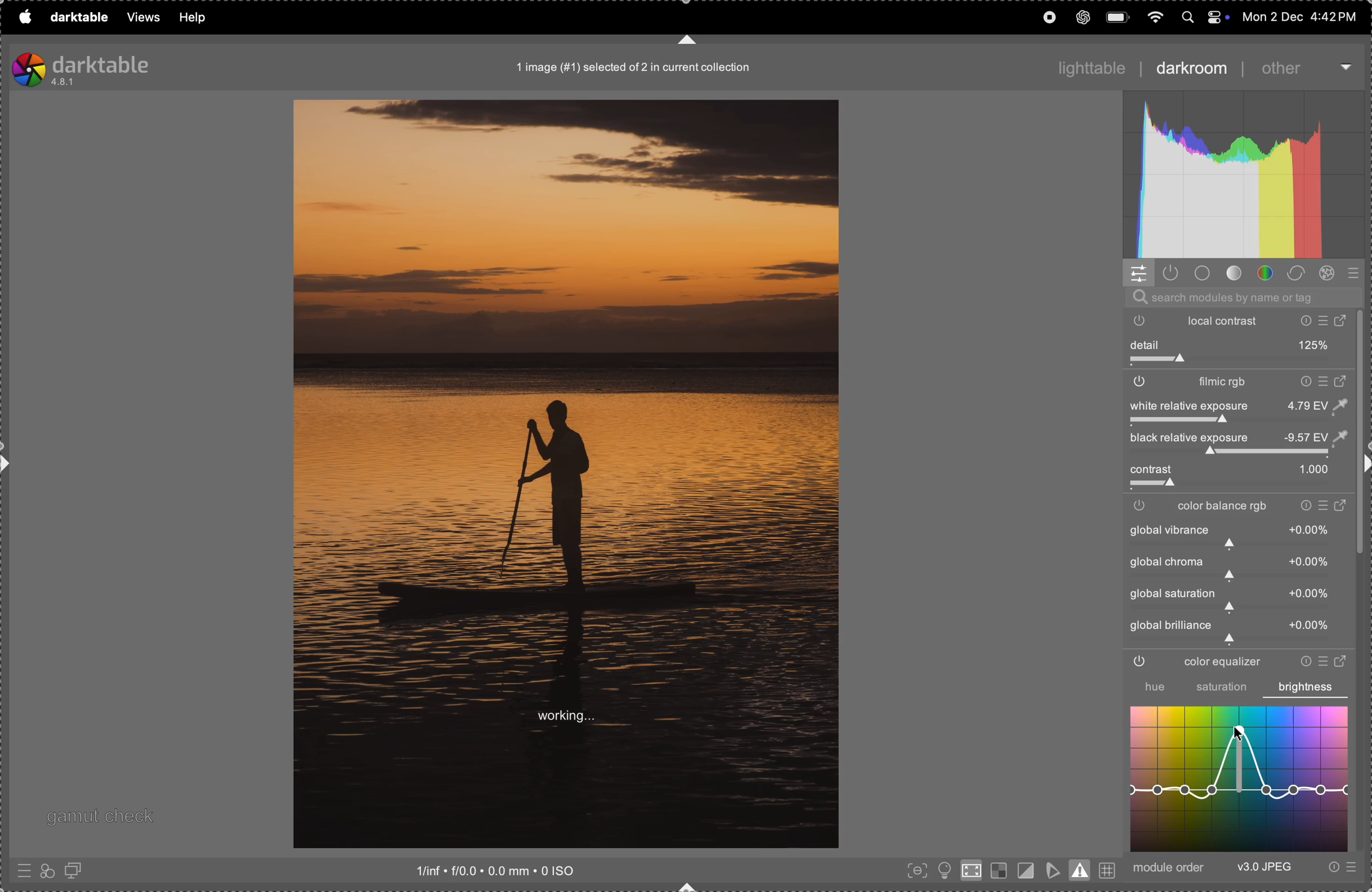 This screenshot has height=892, width=1372. Describe the element at coordinates (997, 871) in the screenshot. I see `toggle indication of raw exposure` at that location.